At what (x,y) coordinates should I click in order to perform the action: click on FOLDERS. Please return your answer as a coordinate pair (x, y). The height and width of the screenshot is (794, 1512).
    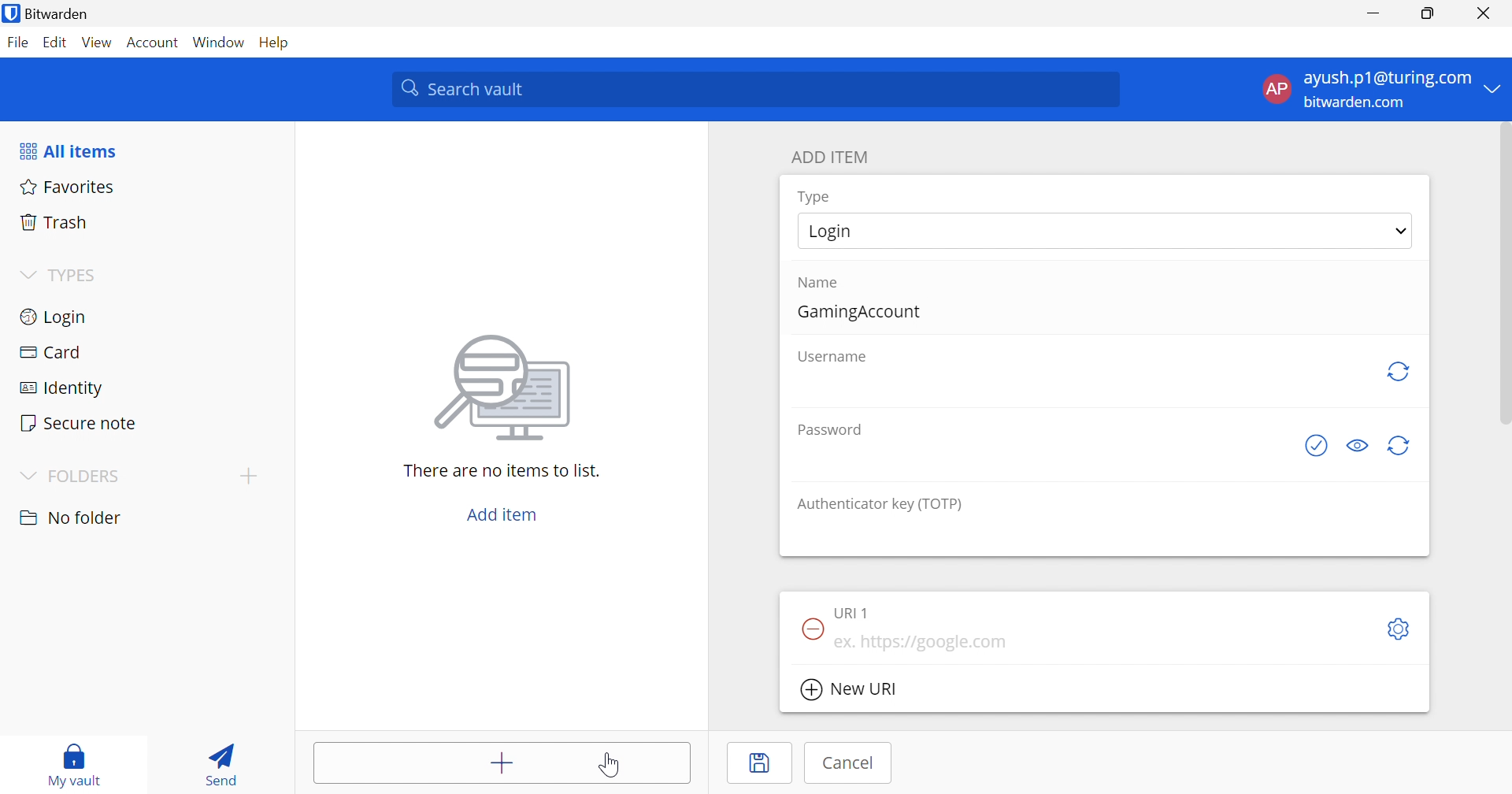
    Looking at the image, I should click on (87, 477).